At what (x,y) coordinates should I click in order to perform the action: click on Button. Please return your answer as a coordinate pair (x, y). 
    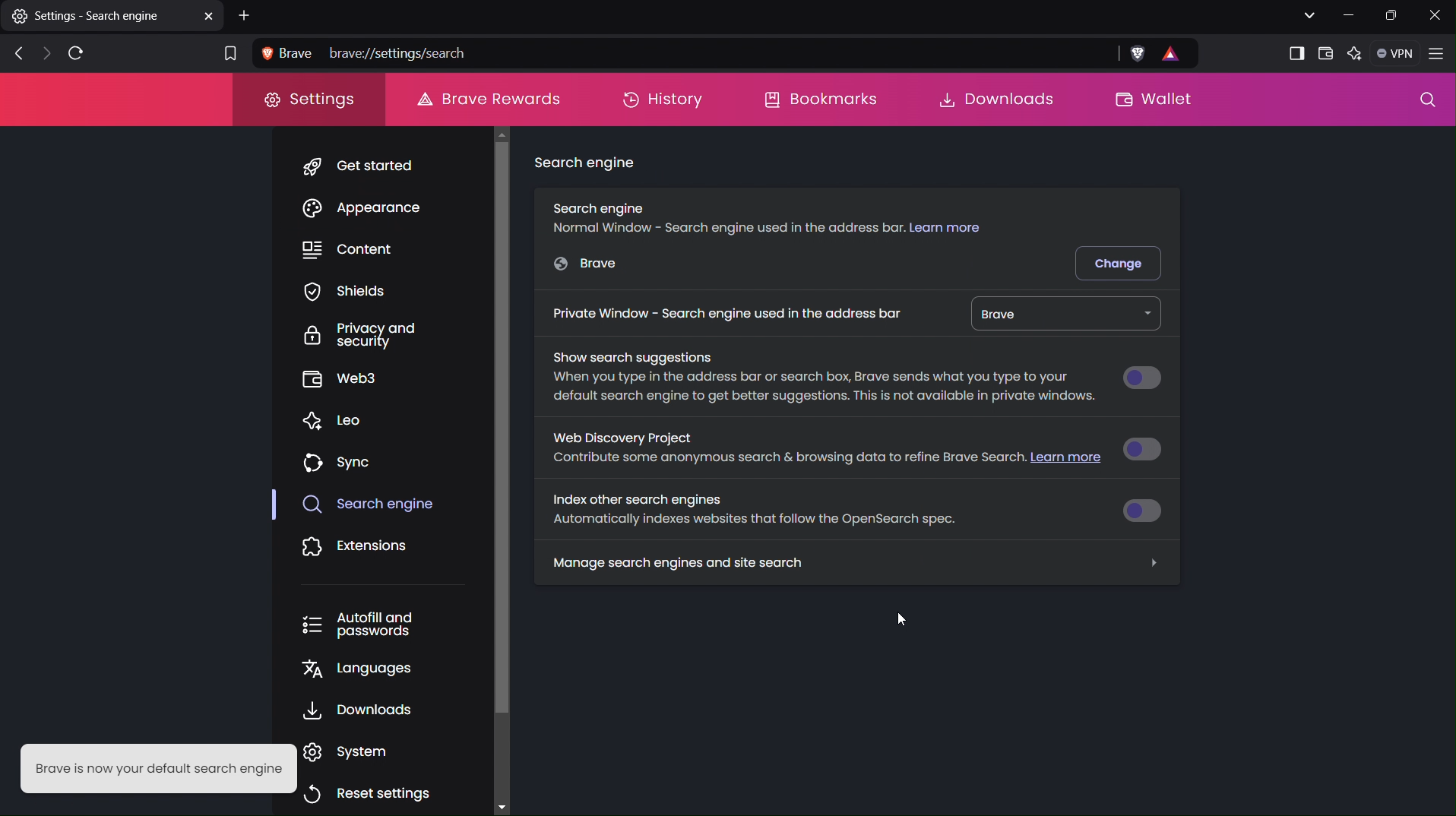
    Looking at the image, I should click on (1142, 378).